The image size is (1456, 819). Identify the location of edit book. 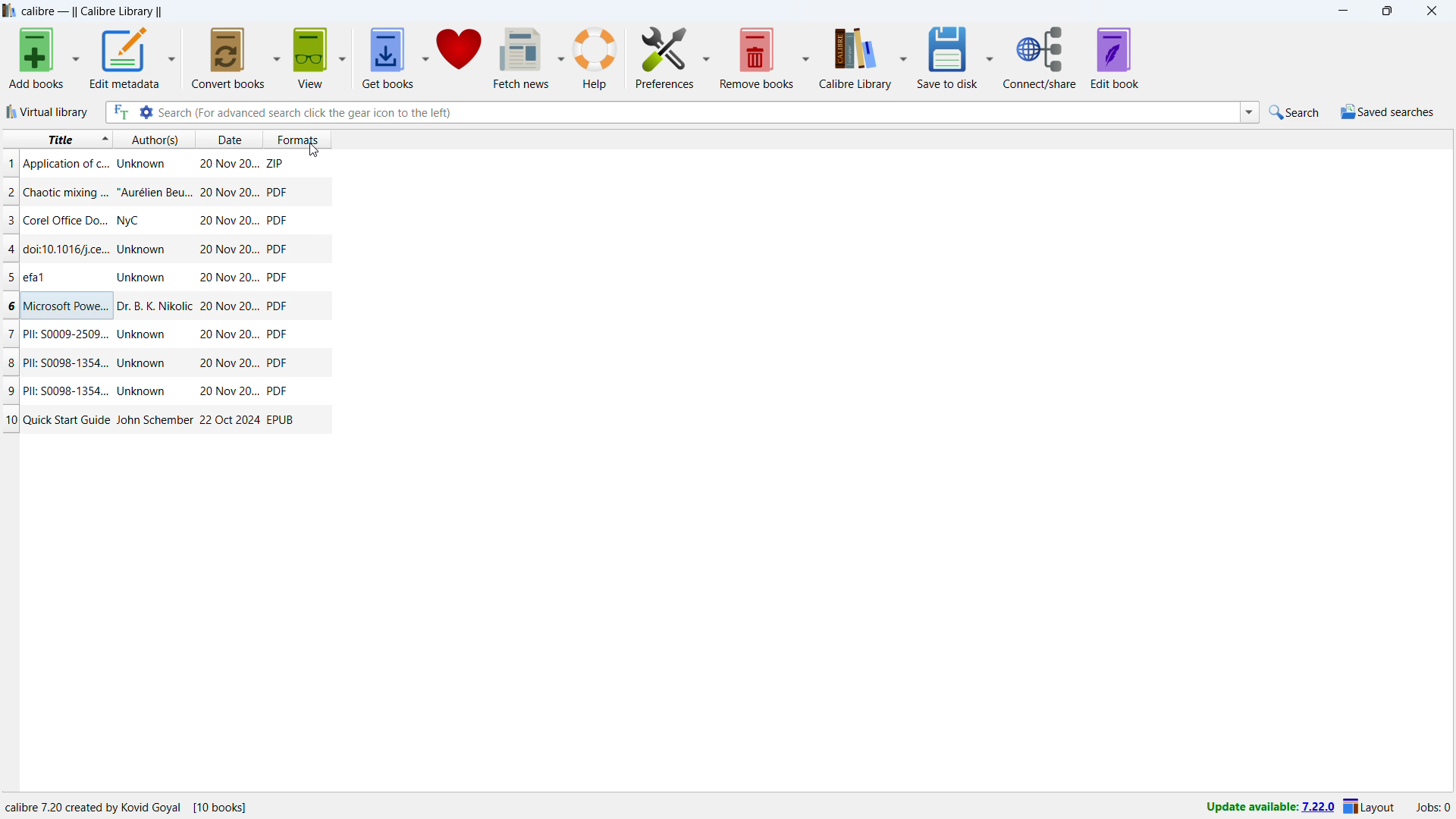
(1115, 57).